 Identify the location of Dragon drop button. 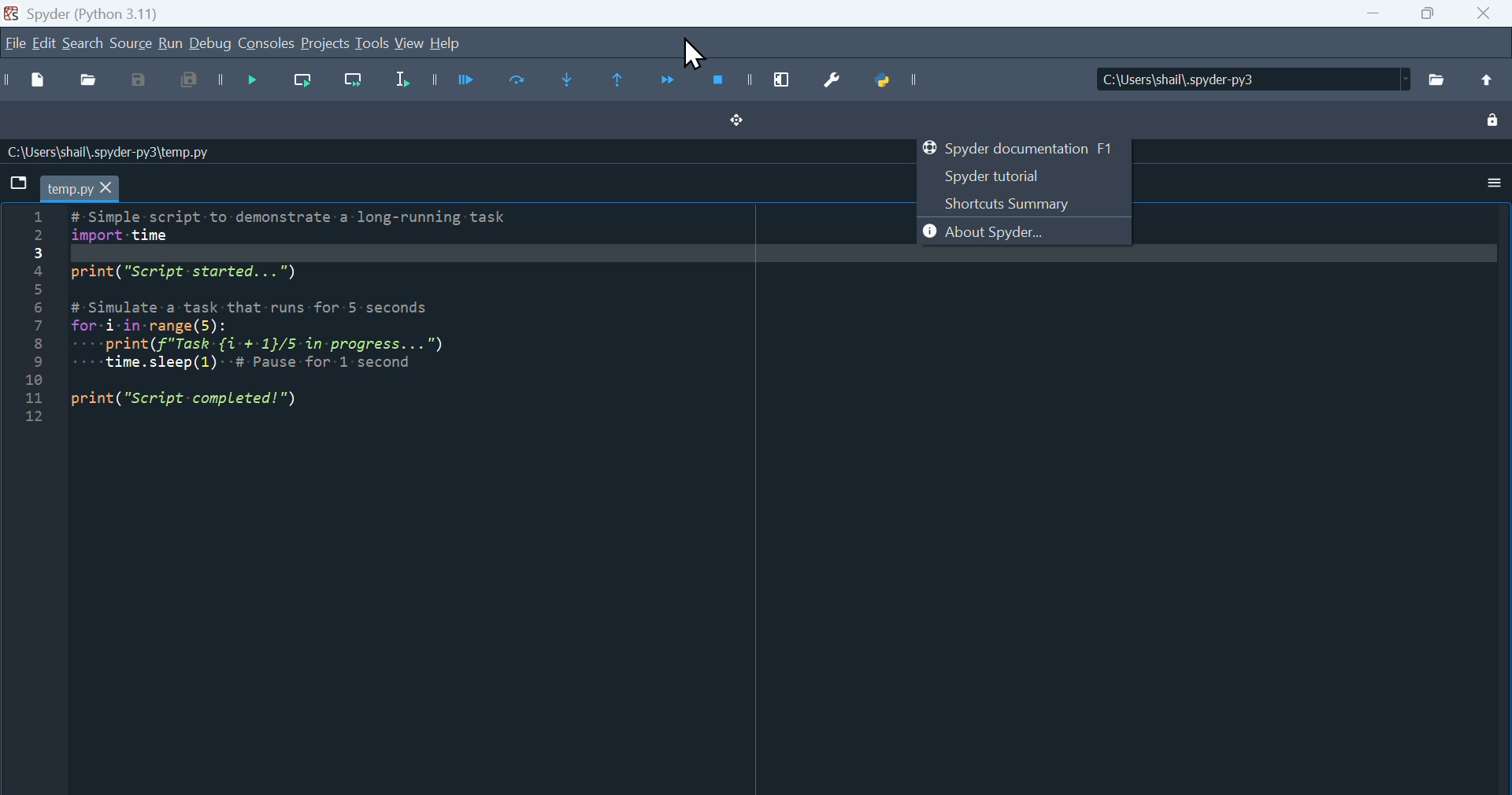
(754, 128).